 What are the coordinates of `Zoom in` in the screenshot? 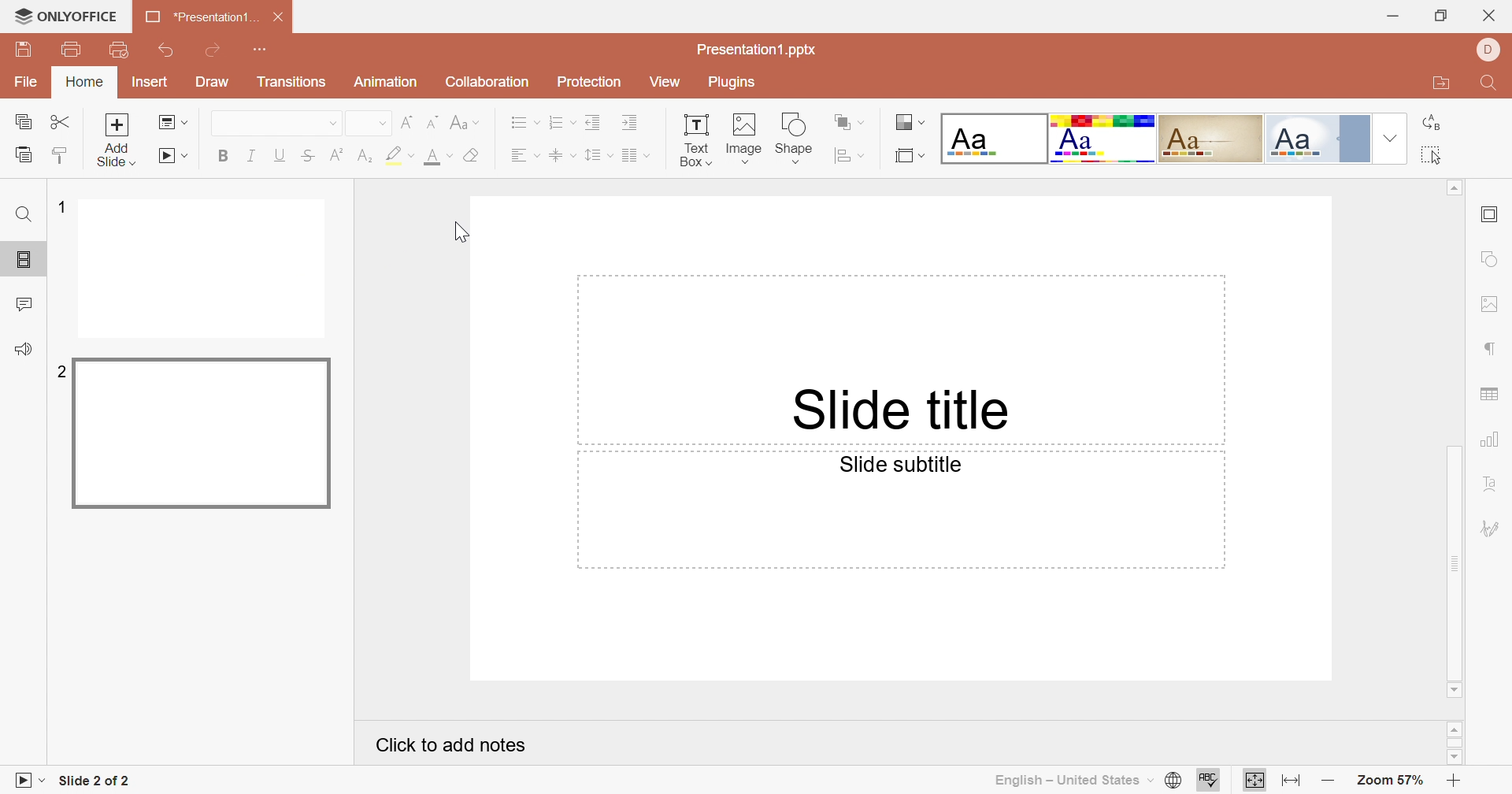 It's located at (1457, 782).